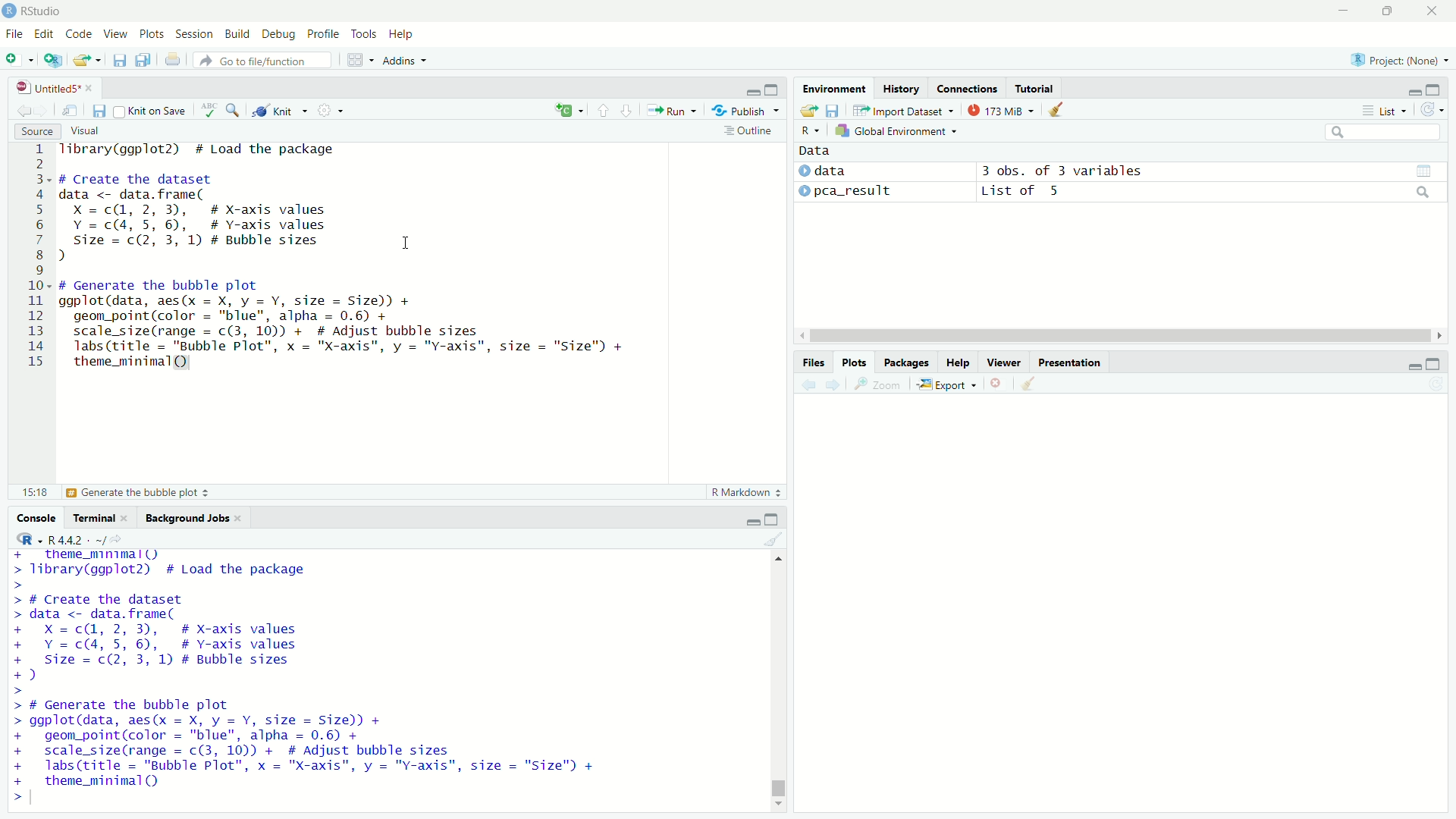  I want to click on vertical scrollbar, so click(779, 784).